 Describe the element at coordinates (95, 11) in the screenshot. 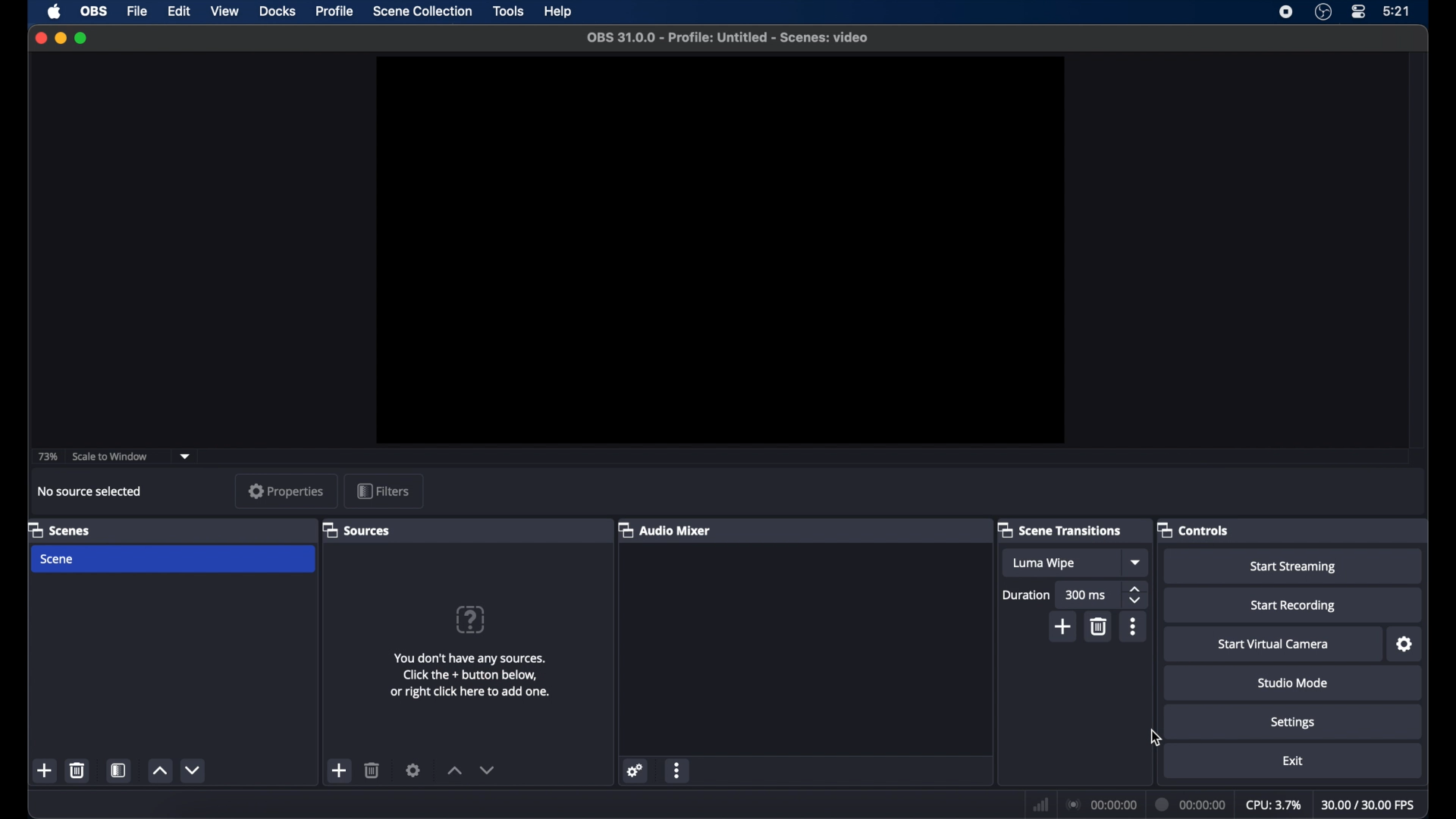

I see `ob` at that location.